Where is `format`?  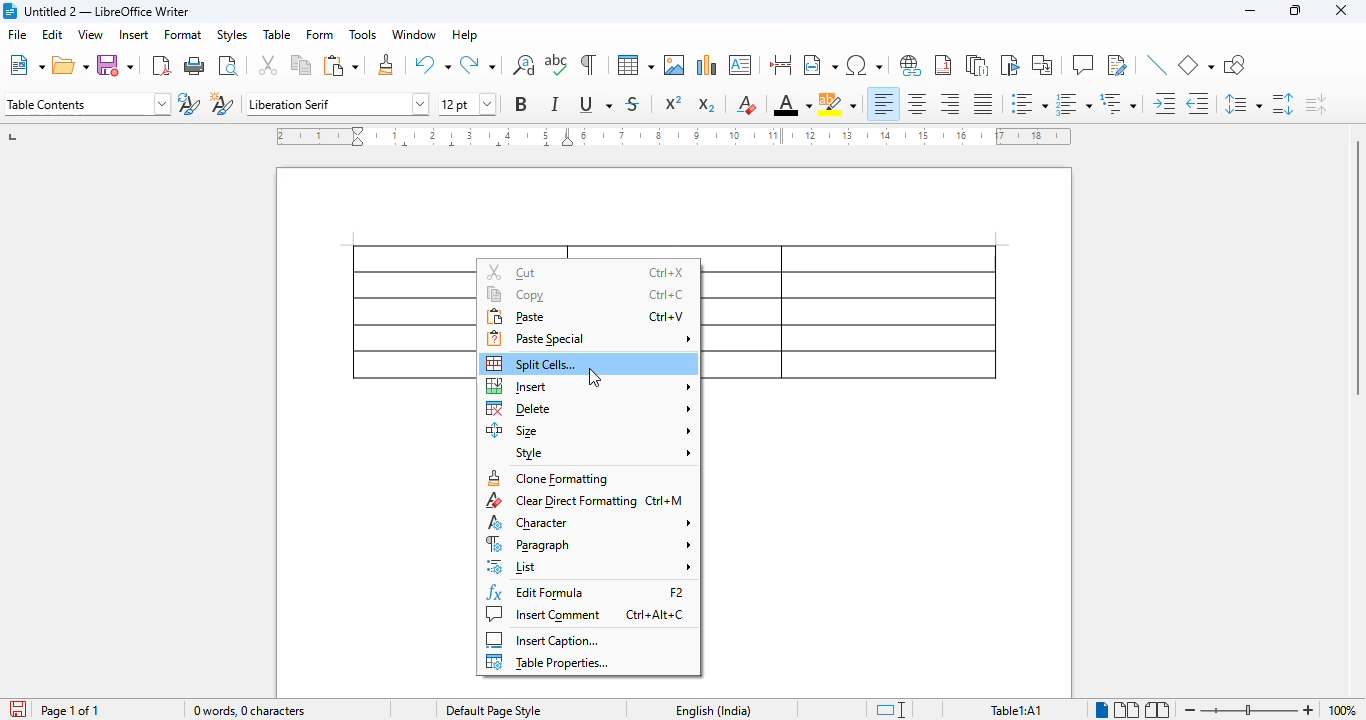
format is located at coordinates (184, 34).